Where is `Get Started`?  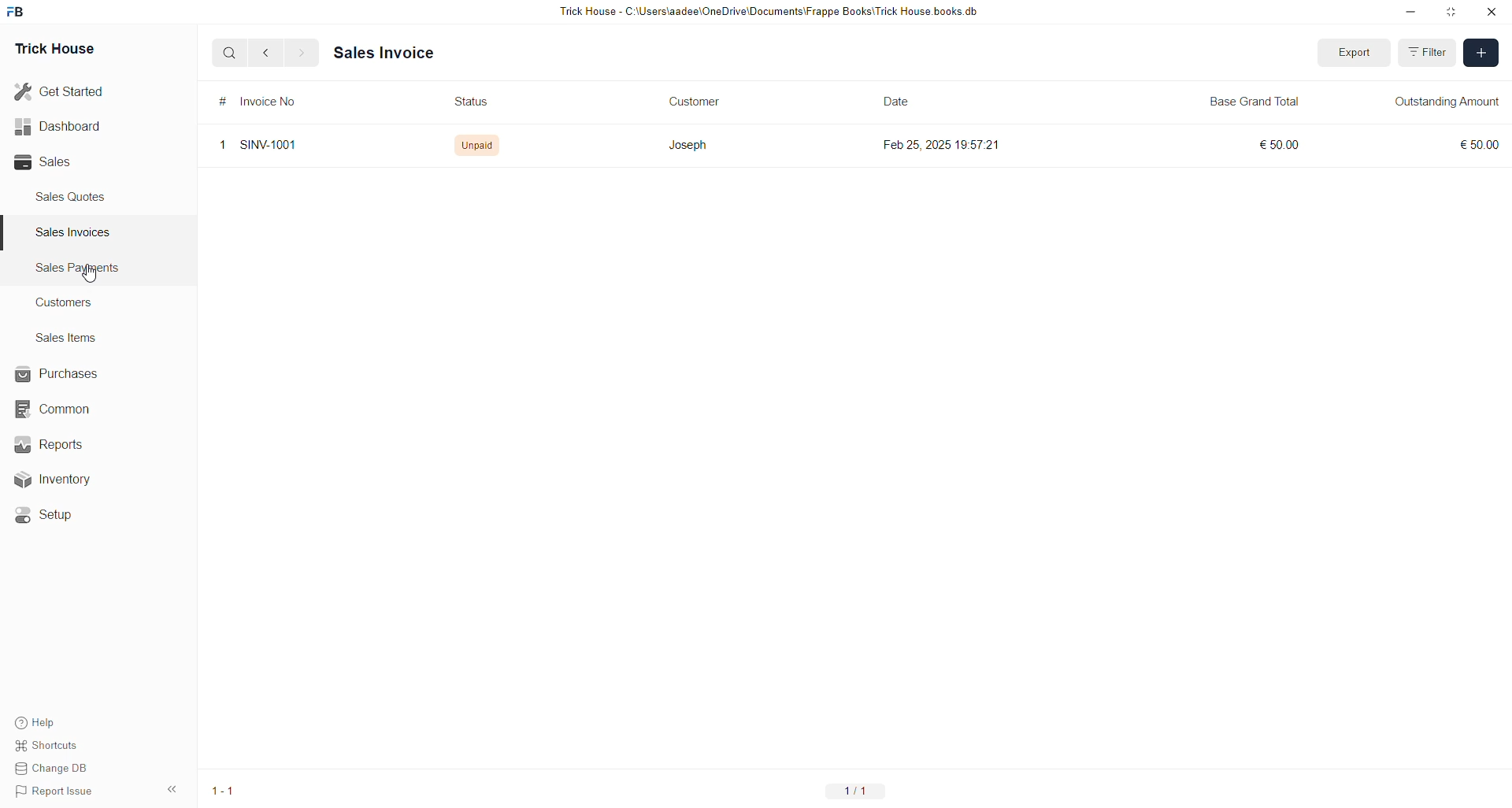 Get Started is located at coordinates (60, 92).